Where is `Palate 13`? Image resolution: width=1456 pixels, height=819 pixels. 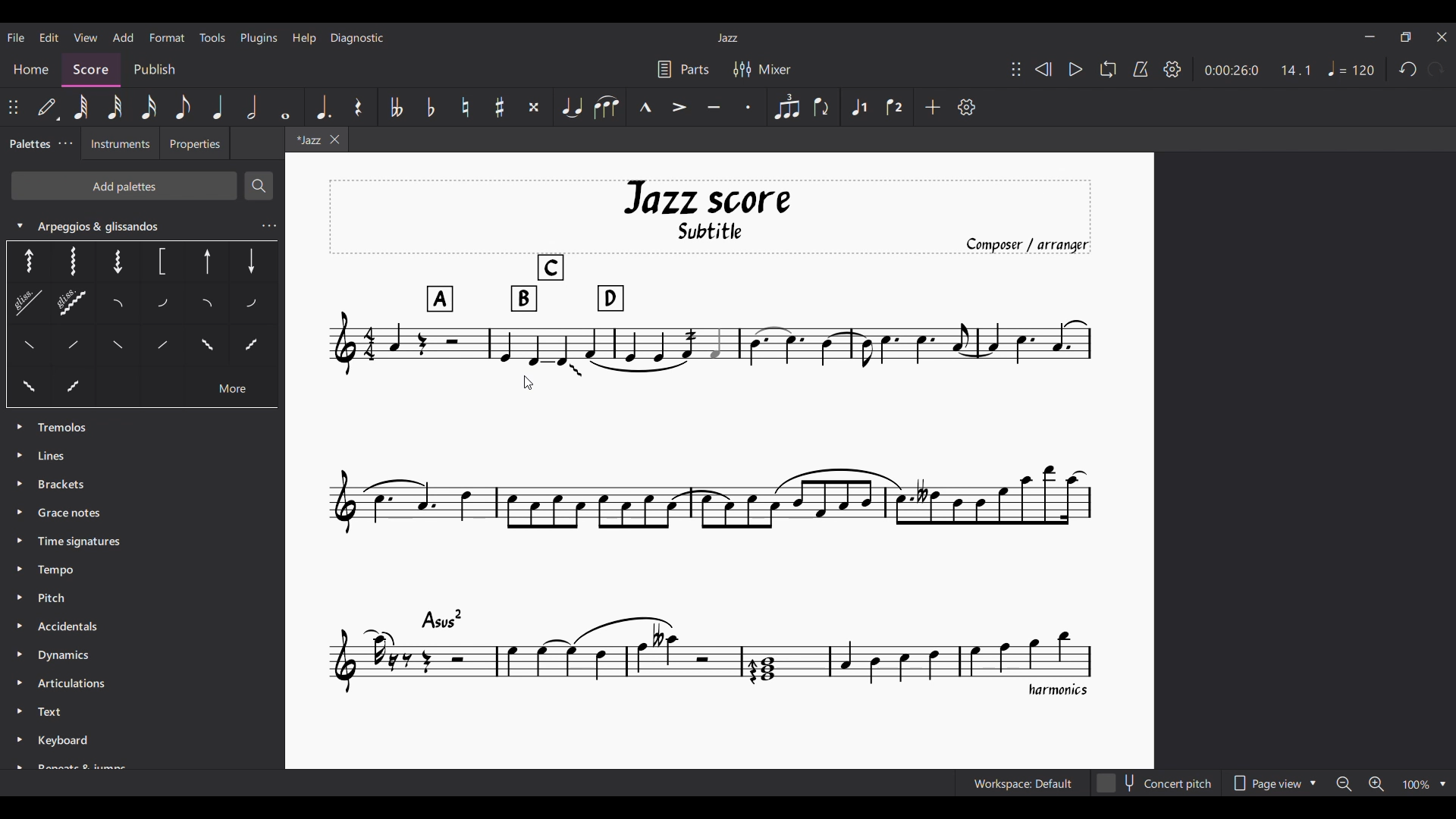
Palate 13 is located at coordinates (253, 303).